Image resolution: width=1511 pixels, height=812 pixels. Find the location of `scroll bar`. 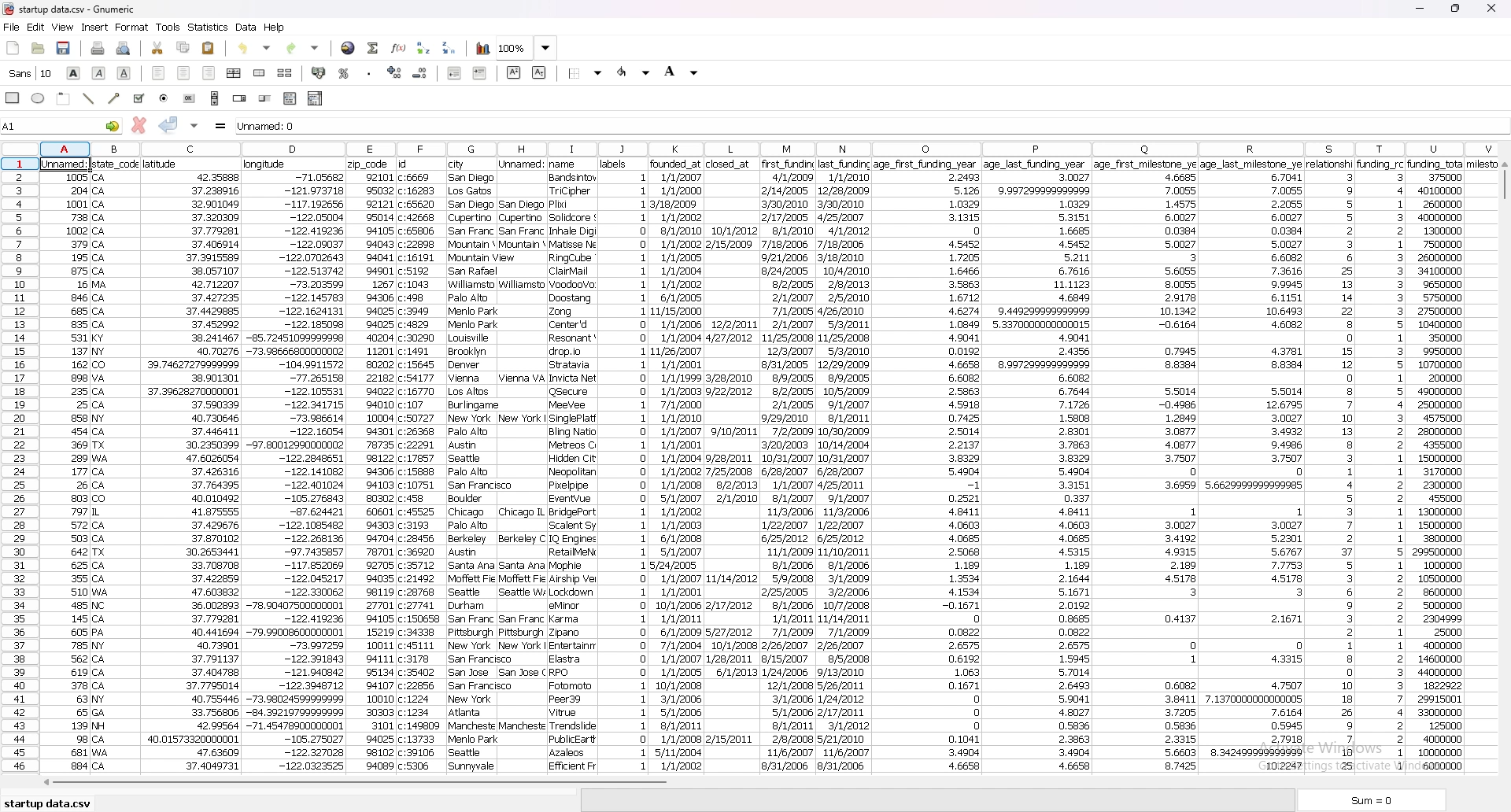

scroll bar is located at coordinates (357, 784).